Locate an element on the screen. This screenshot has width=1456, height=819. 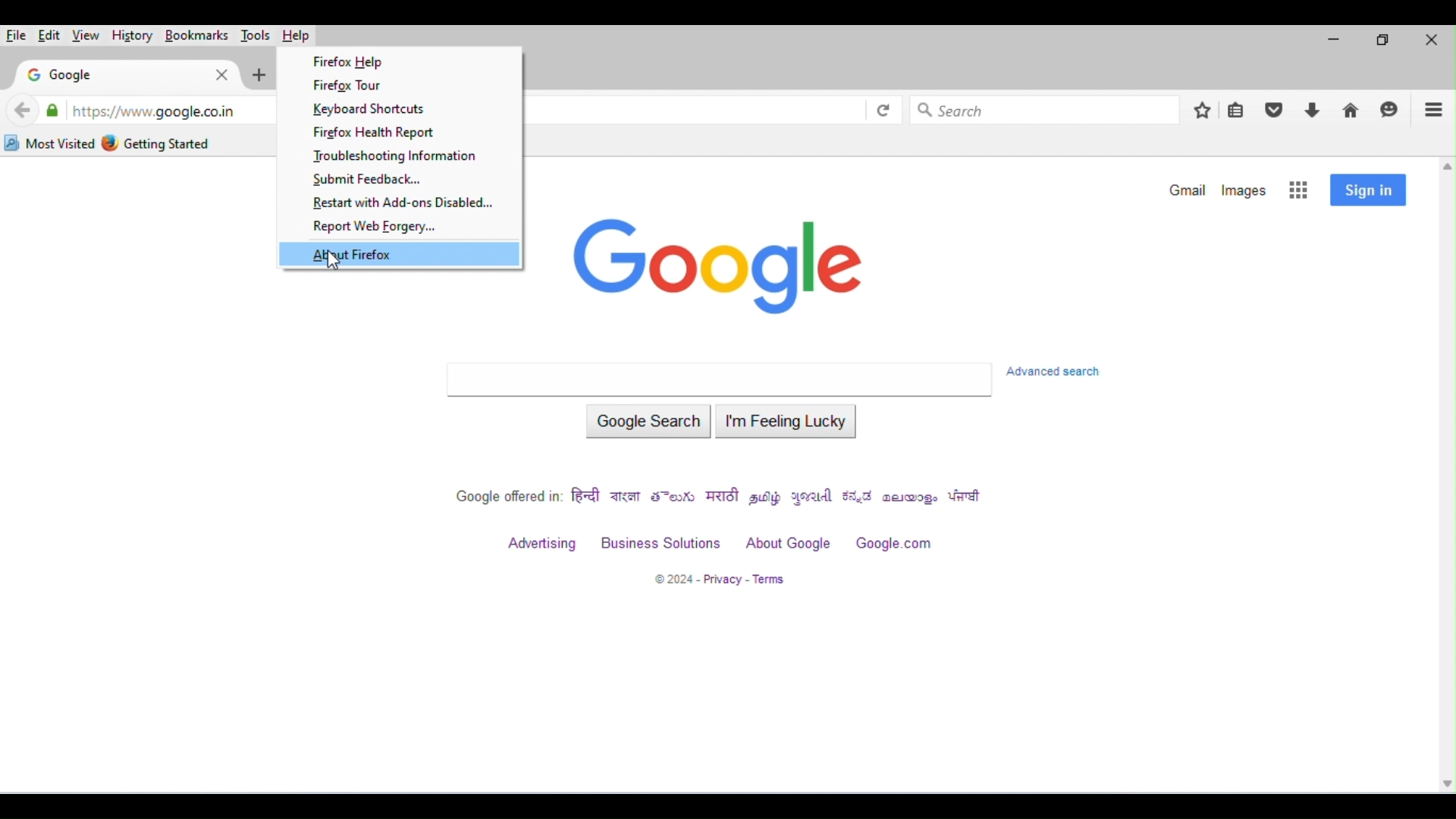
bookmarks is located at coordinates (196, 36).